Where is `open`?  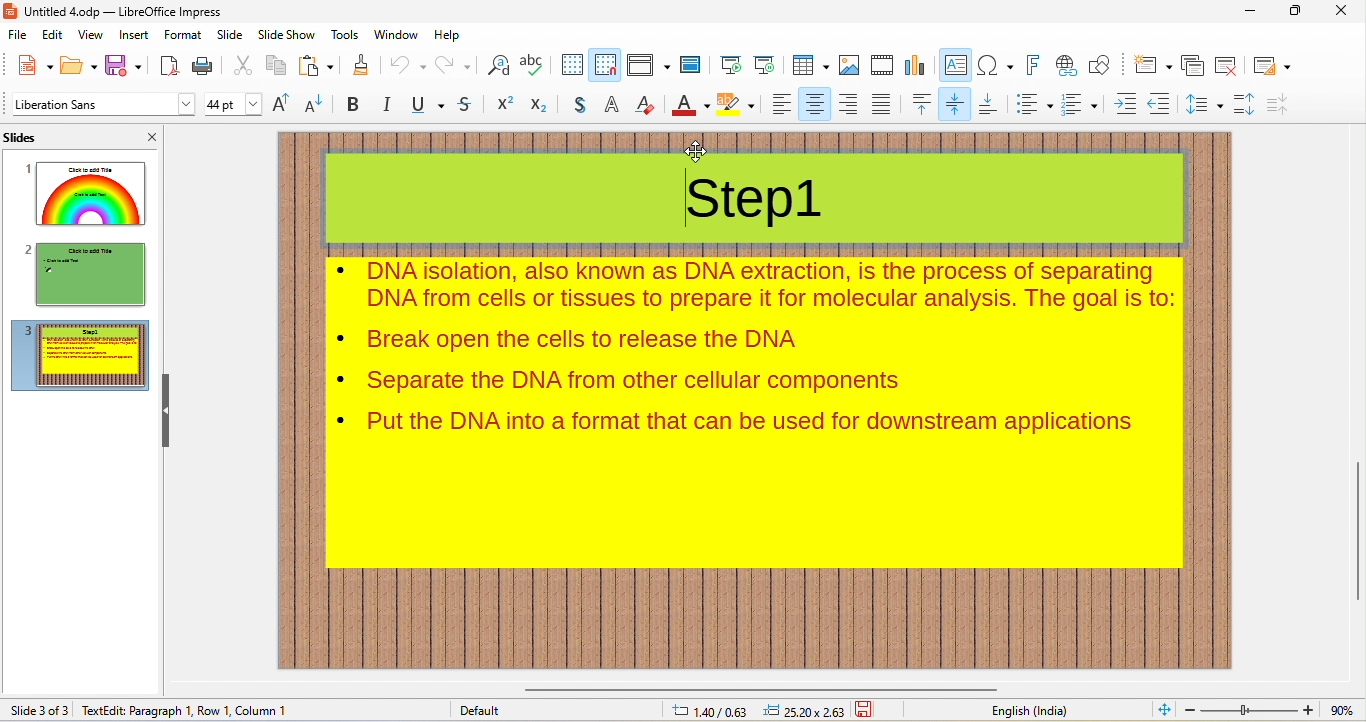
open is located at coordinates (79, 66).